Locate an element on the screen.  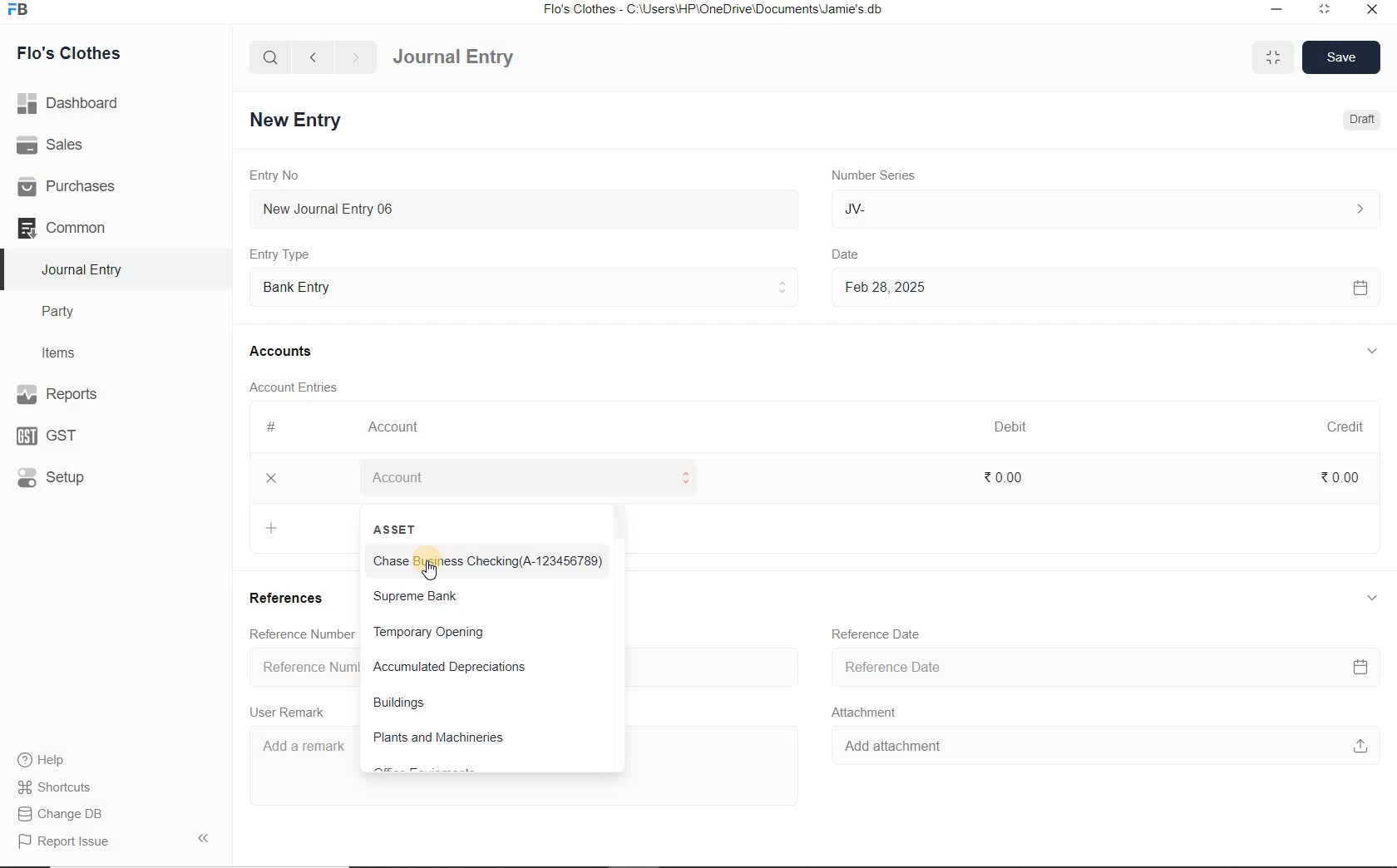
JV is located at coordinates (1102, 209).